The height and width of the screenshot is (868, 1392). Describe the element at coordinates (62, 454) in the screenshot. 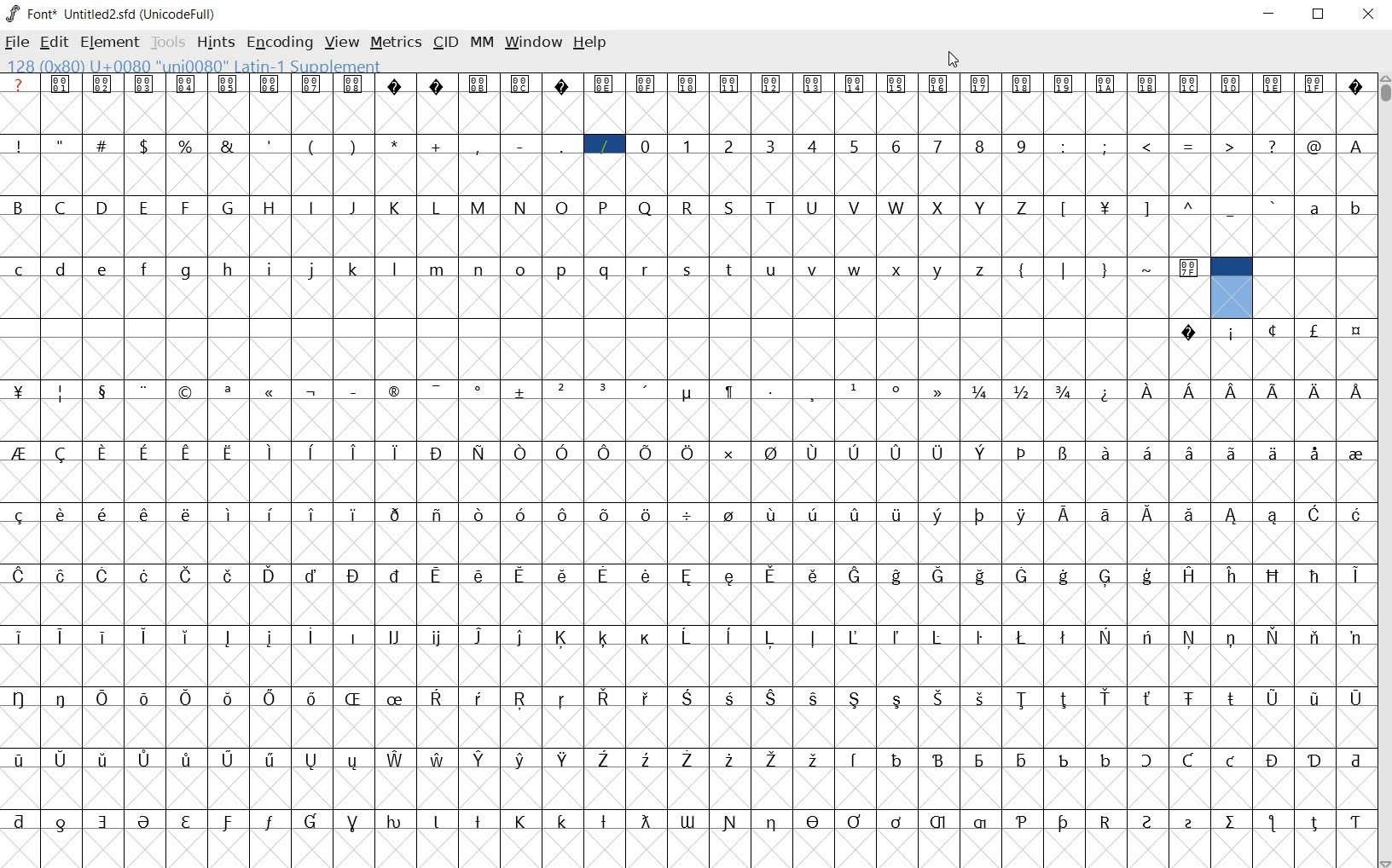

I see `Symbol` at that location.